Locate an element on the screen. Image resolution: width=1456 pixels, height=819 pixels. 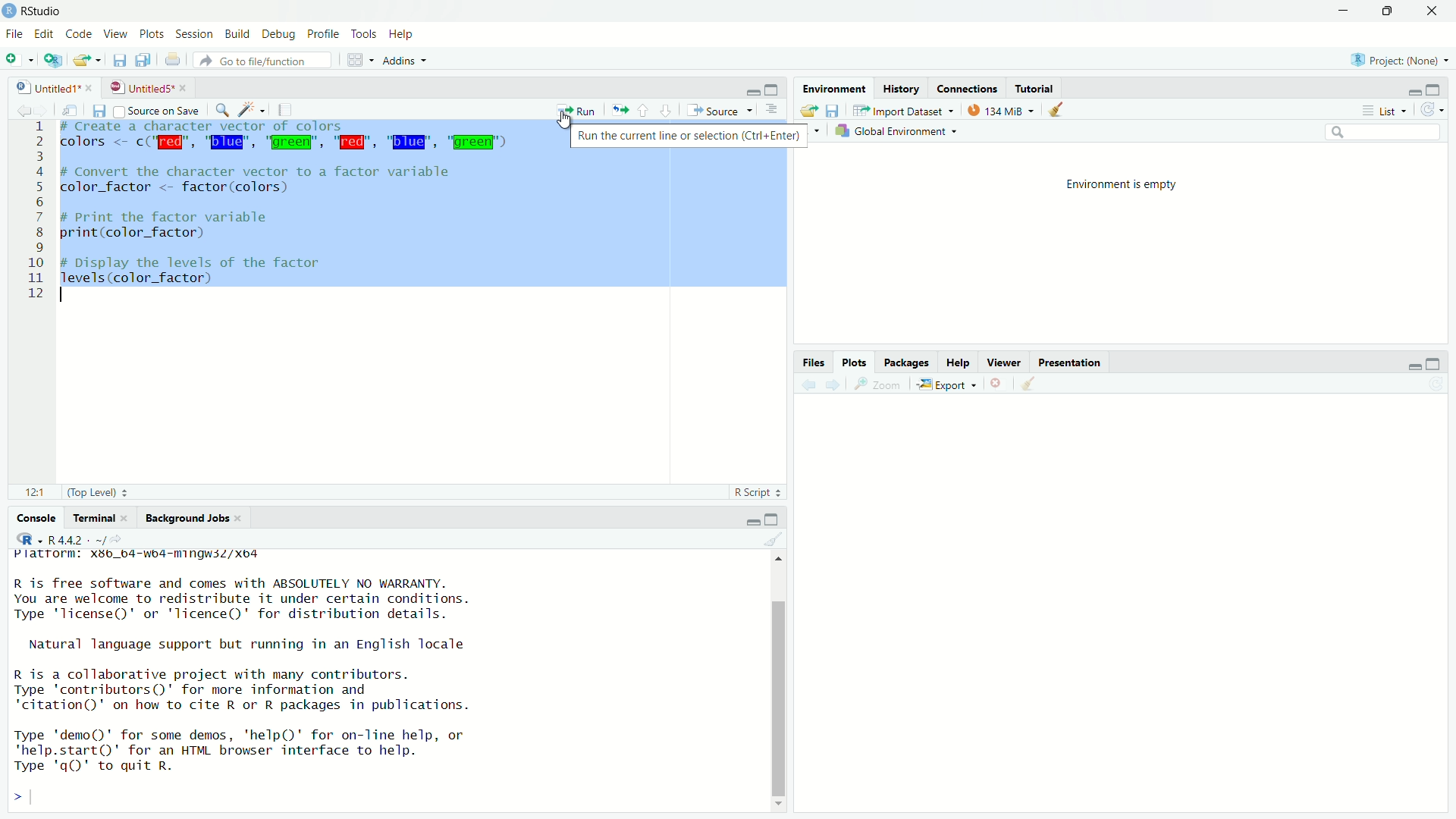
Tutorial is located at coordinates (1034, 89).